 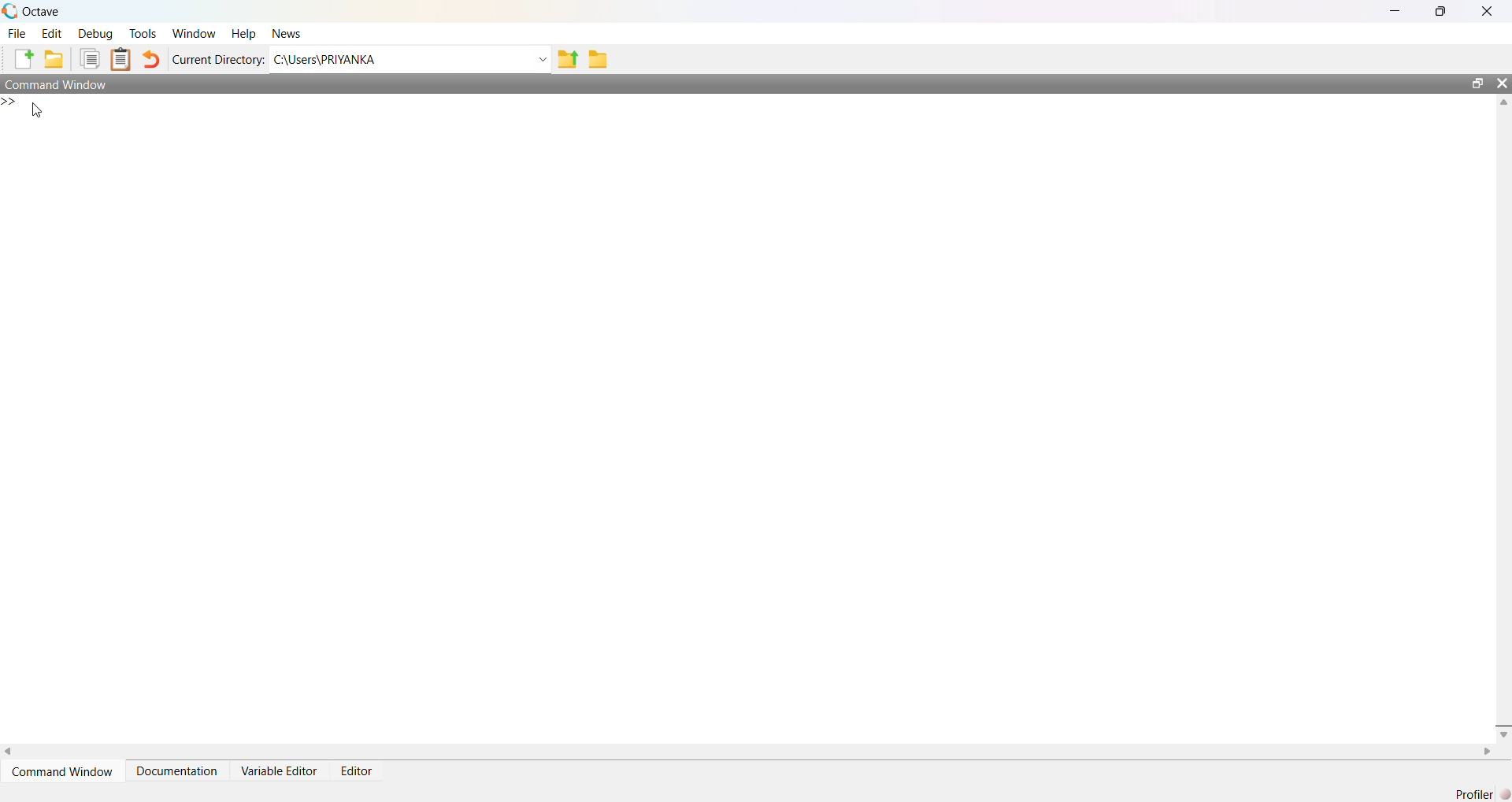 What do you see at coordinates (1481, 793) in the screenshot?
I see `Profiler` at bounding box center [1481, 793].